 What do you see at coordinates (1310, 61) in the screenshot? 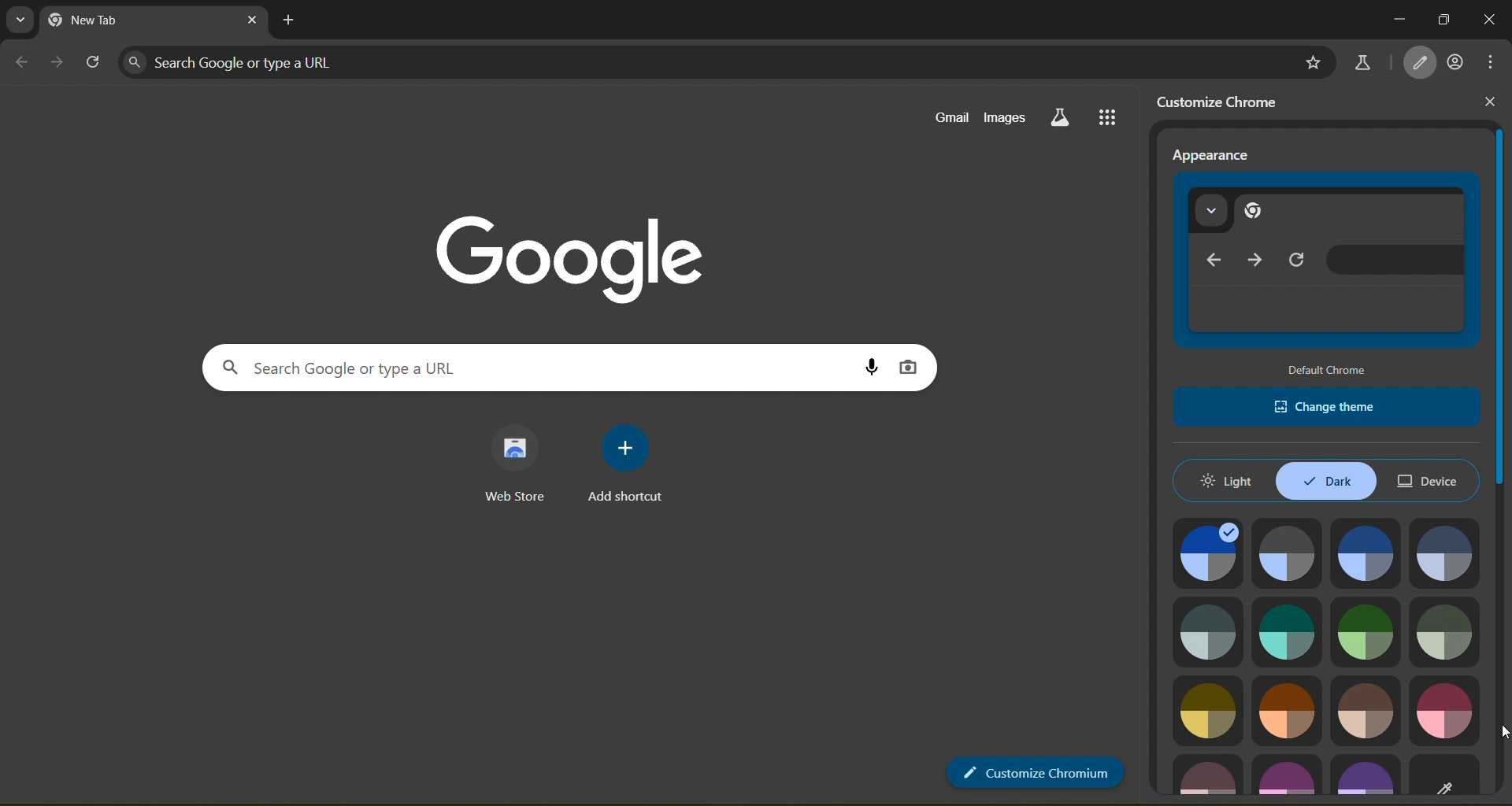
I see `bookmark page` at bounding box center [1310, 61].